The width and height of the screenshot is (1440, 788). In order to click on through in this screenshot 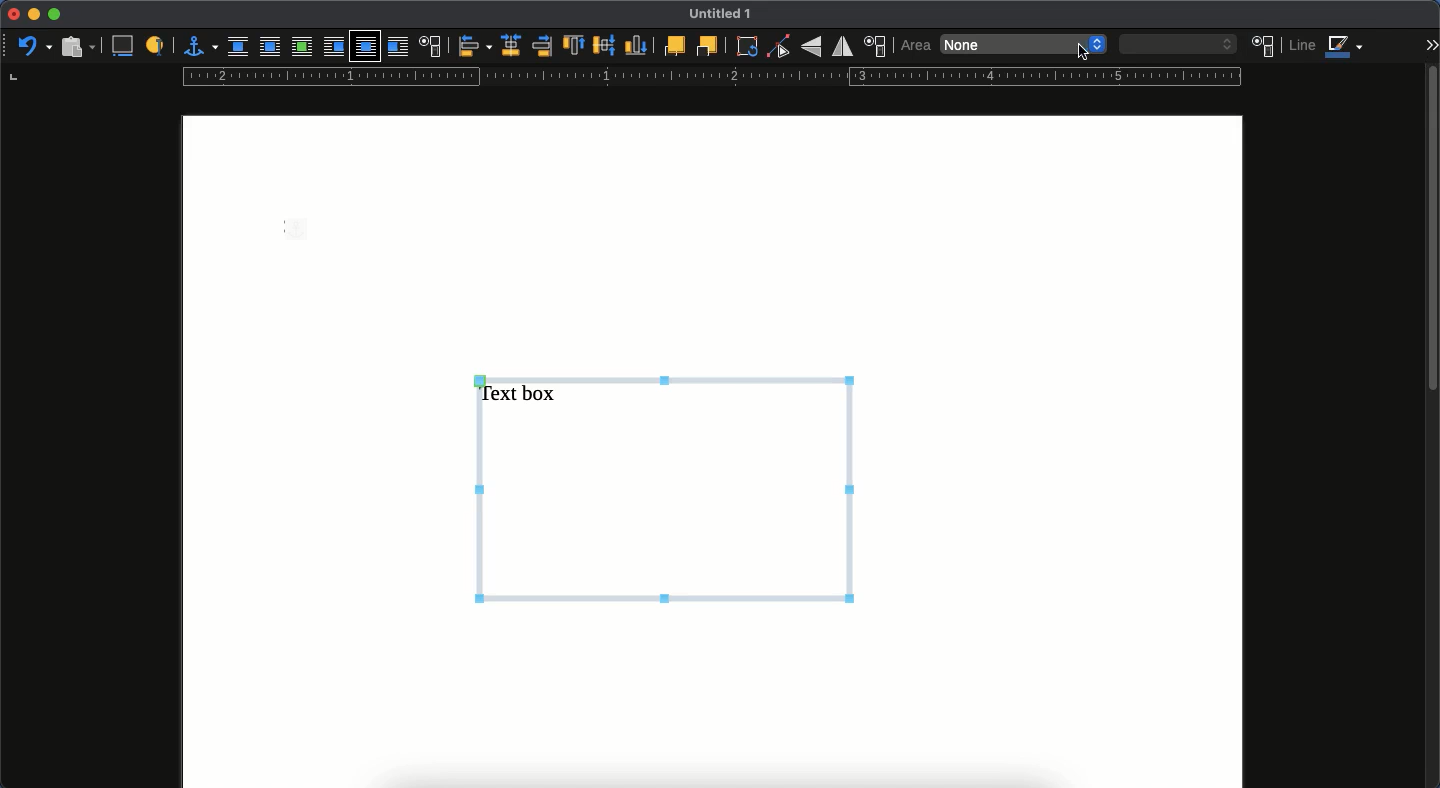, I will do `click(366, 47)`.